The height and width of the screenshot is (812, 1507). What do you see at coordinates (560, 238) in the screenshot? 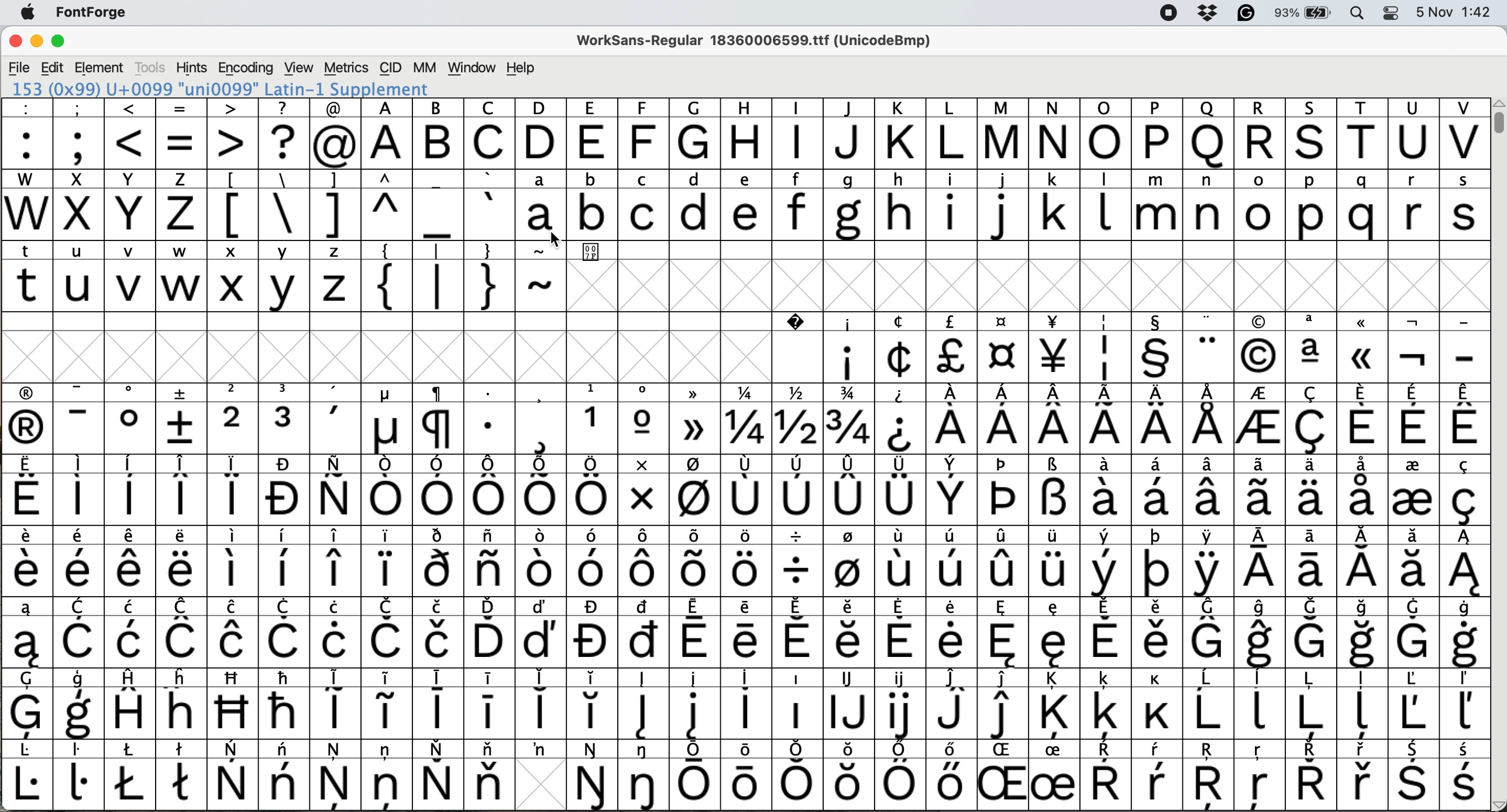
I see `cursor` at bounding box center [560, 238].